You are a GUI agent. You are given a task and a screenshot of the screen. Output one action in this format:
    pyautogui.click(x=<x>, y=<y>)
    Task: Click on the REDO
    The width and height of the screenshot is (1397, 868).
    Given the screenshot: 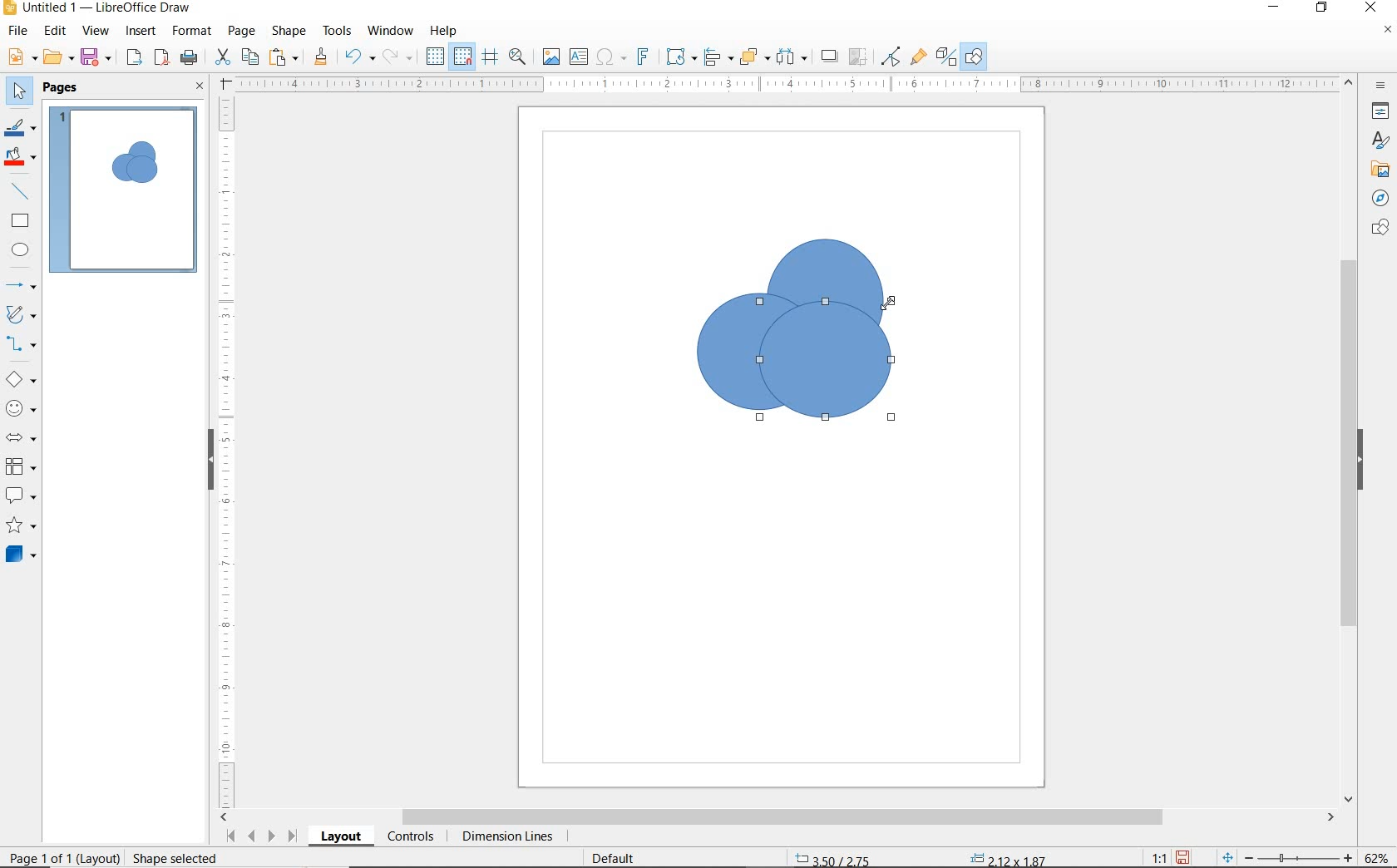 What is the action you would take?
    pyautogui.click(x=398, y=57)
    